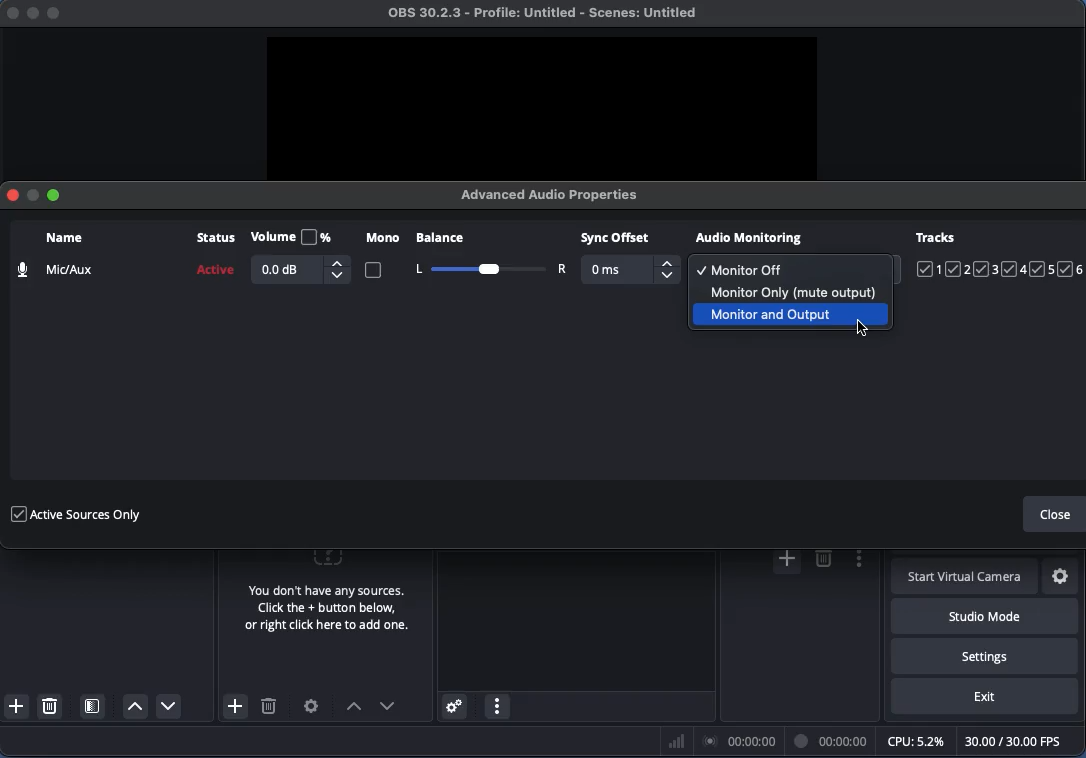 The image size is (1086, 758). I want to click on Delete, so click(52, 705).